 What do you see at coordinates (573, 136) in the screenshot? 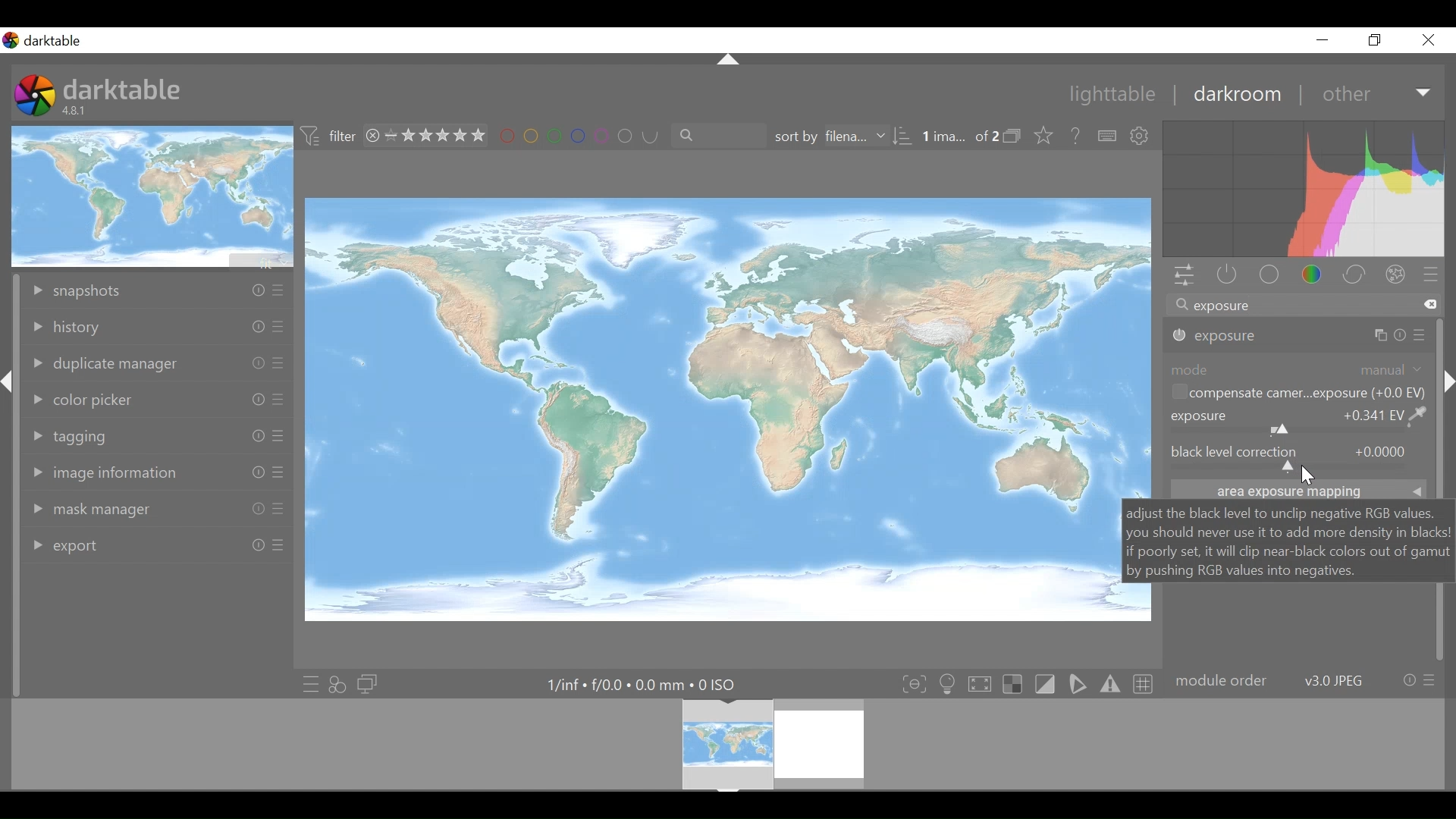
I see `Filter by image color label` at bounding box center [573, 136].